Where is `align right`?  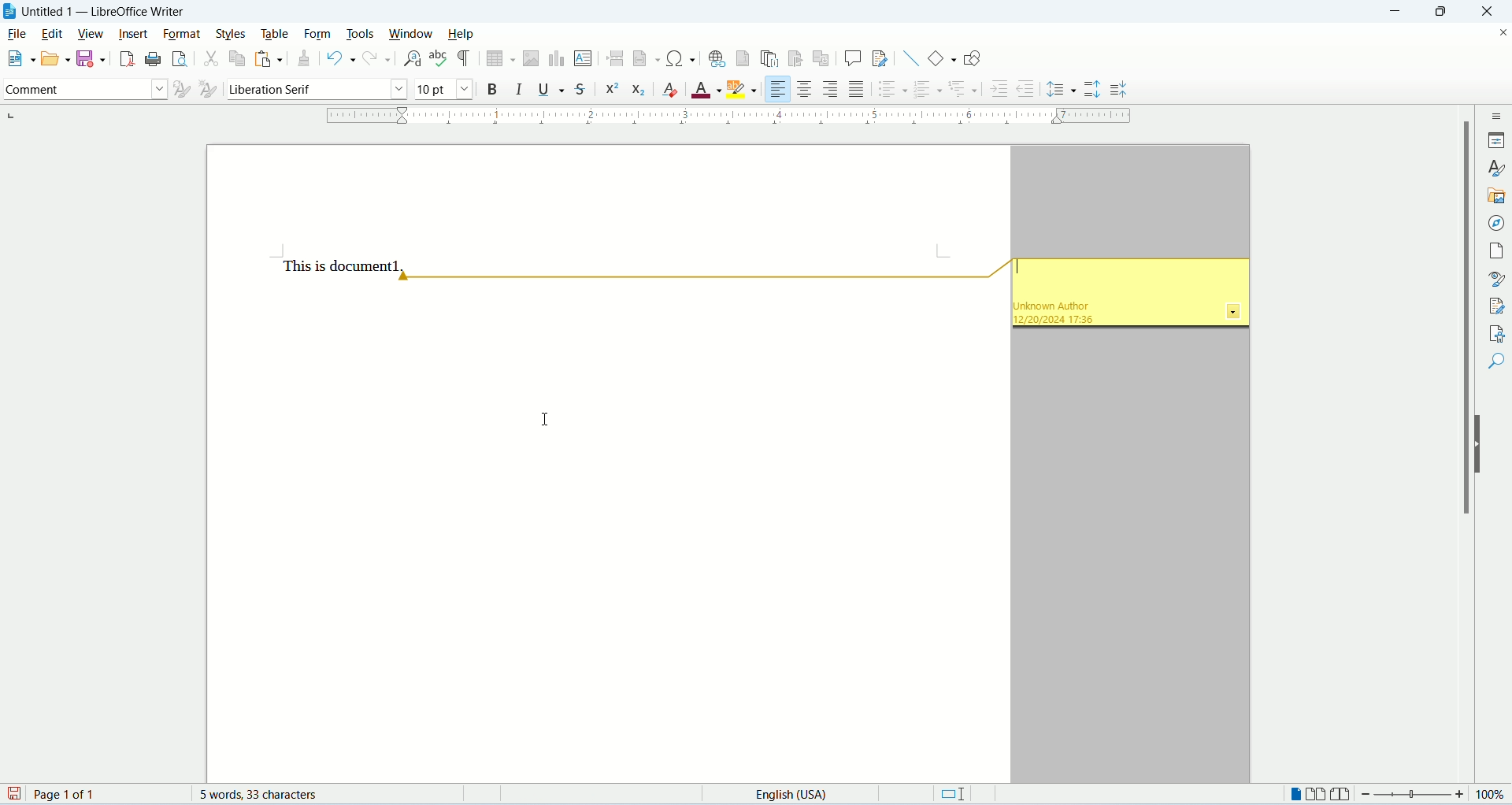
align right is located at coordinates (831, 90).